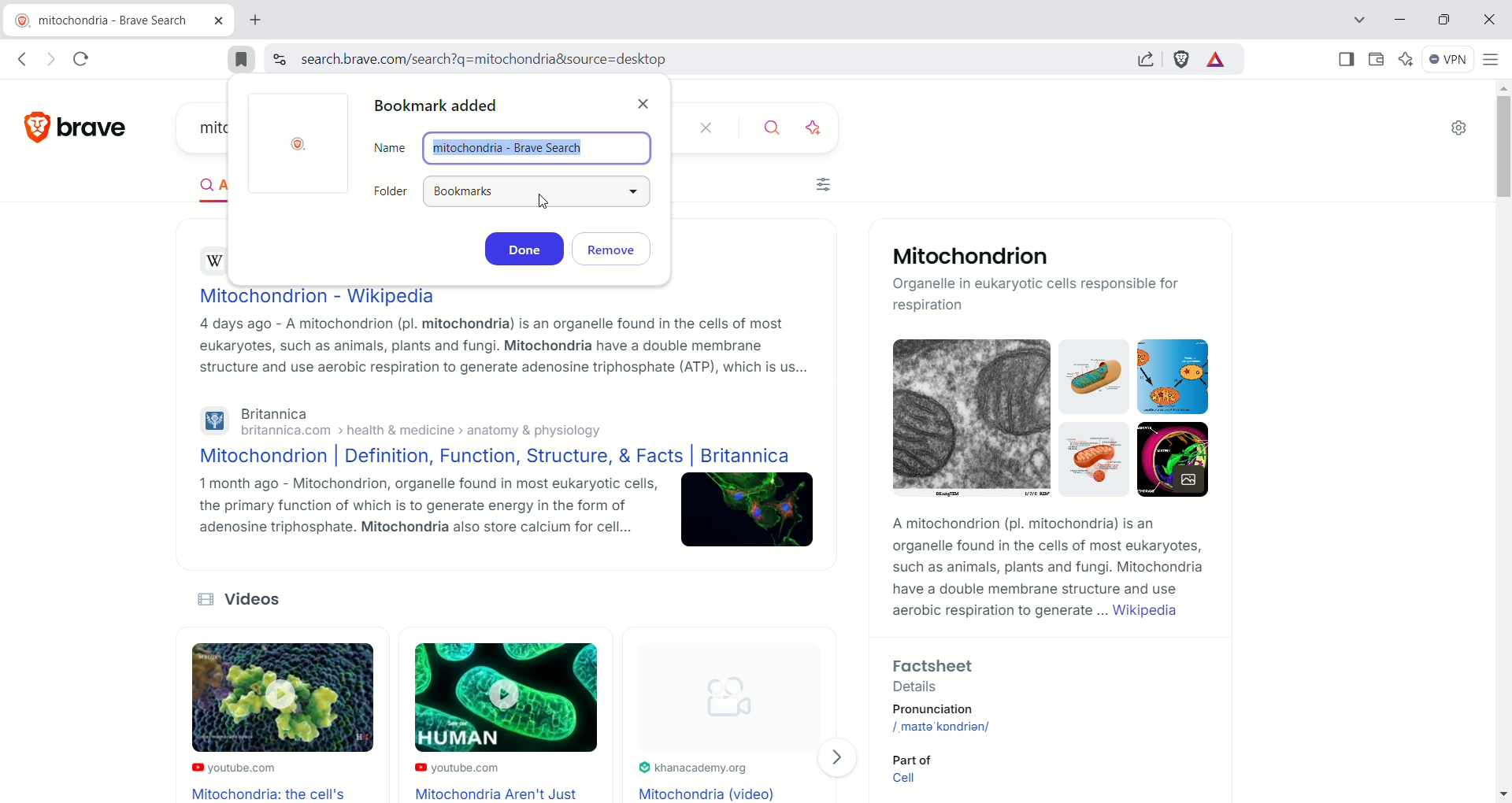  What do you see at coordinates (488, 701) in the screenshot?
I see `Video Thumbnails` at bounding box center [488, 701].